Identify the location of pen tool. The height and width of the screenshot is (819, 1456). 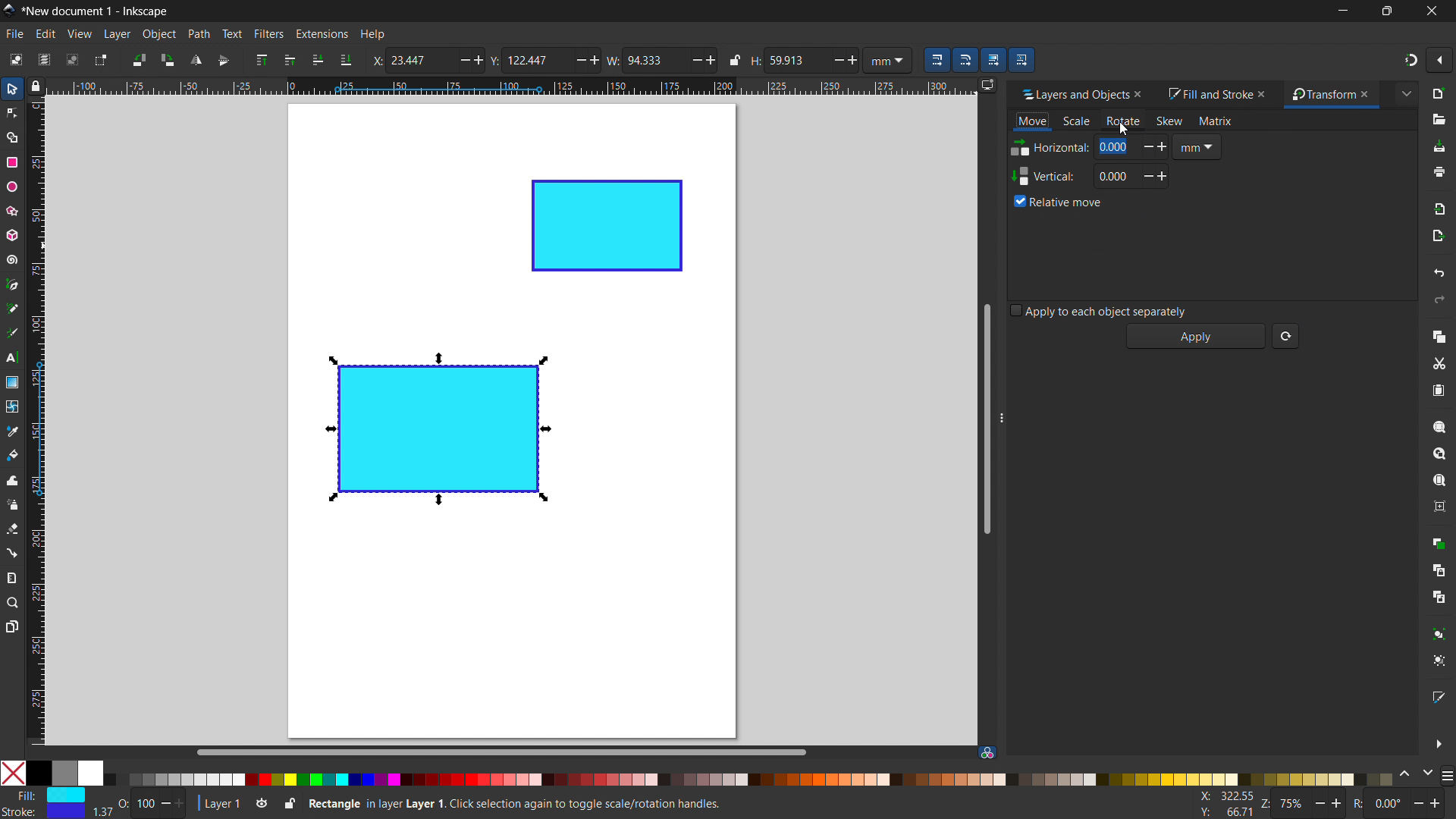
(13, 284).